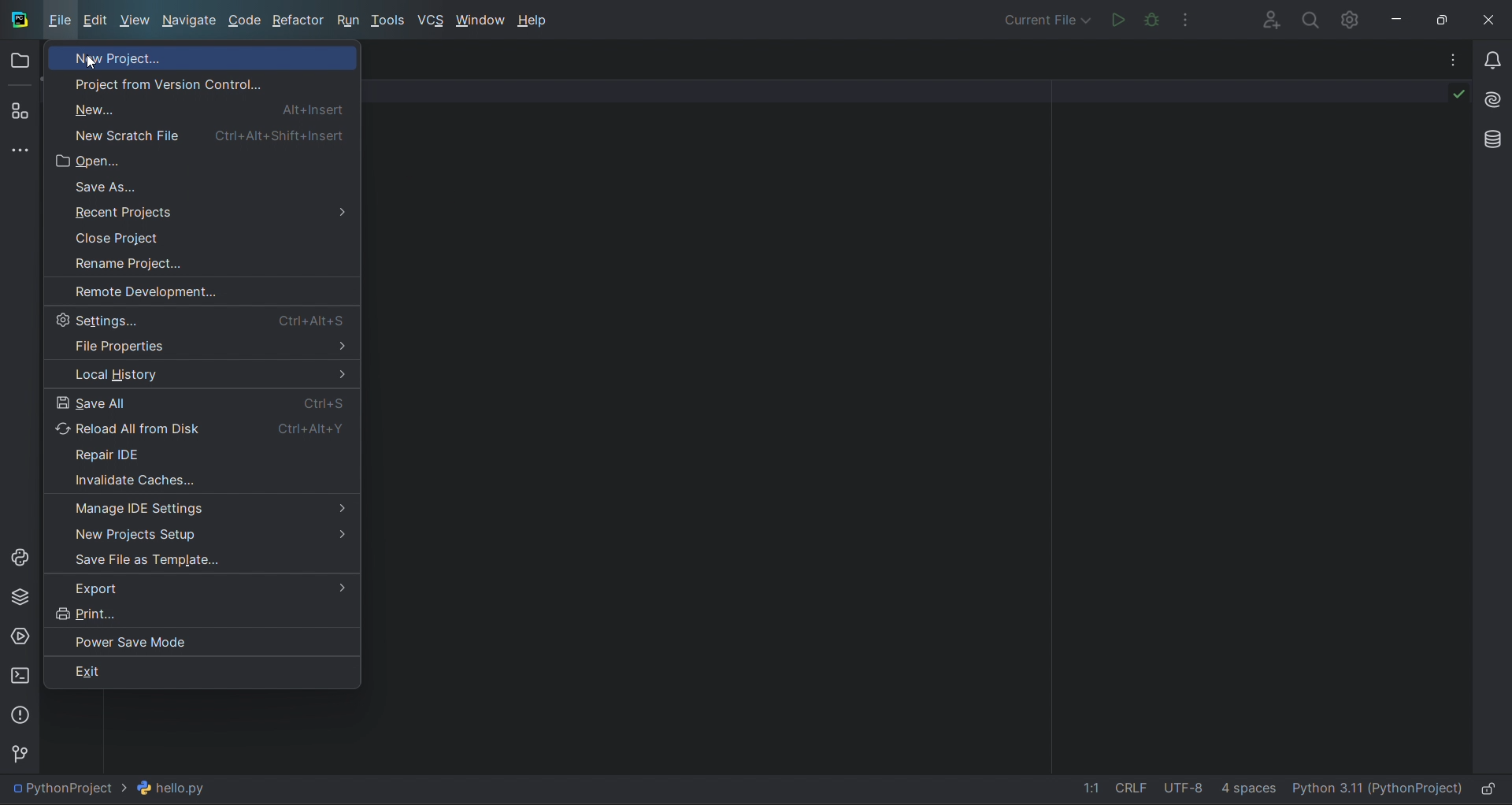 This screenshot has width=1512, height=805. I want to click on code, so click(246, 22).